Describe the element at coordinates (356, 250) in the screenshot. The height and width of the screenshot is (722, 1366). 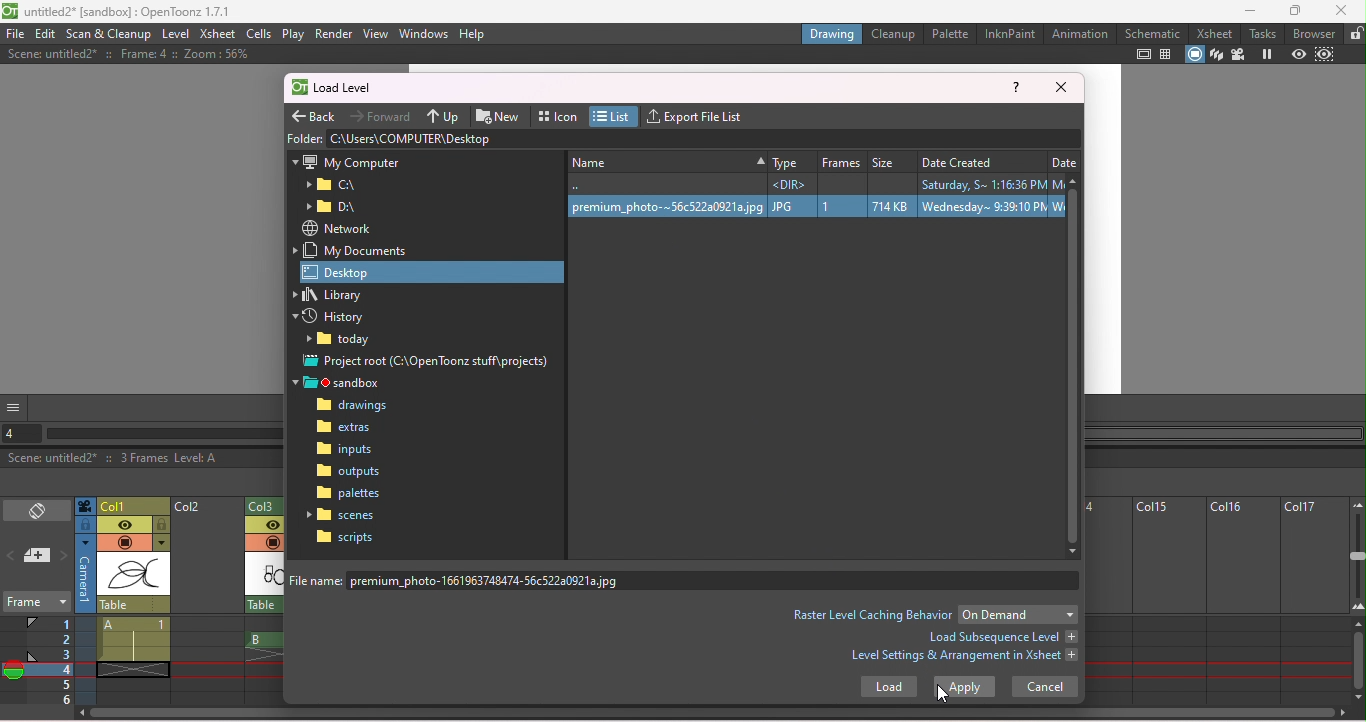
I see `My work documents` at that location.